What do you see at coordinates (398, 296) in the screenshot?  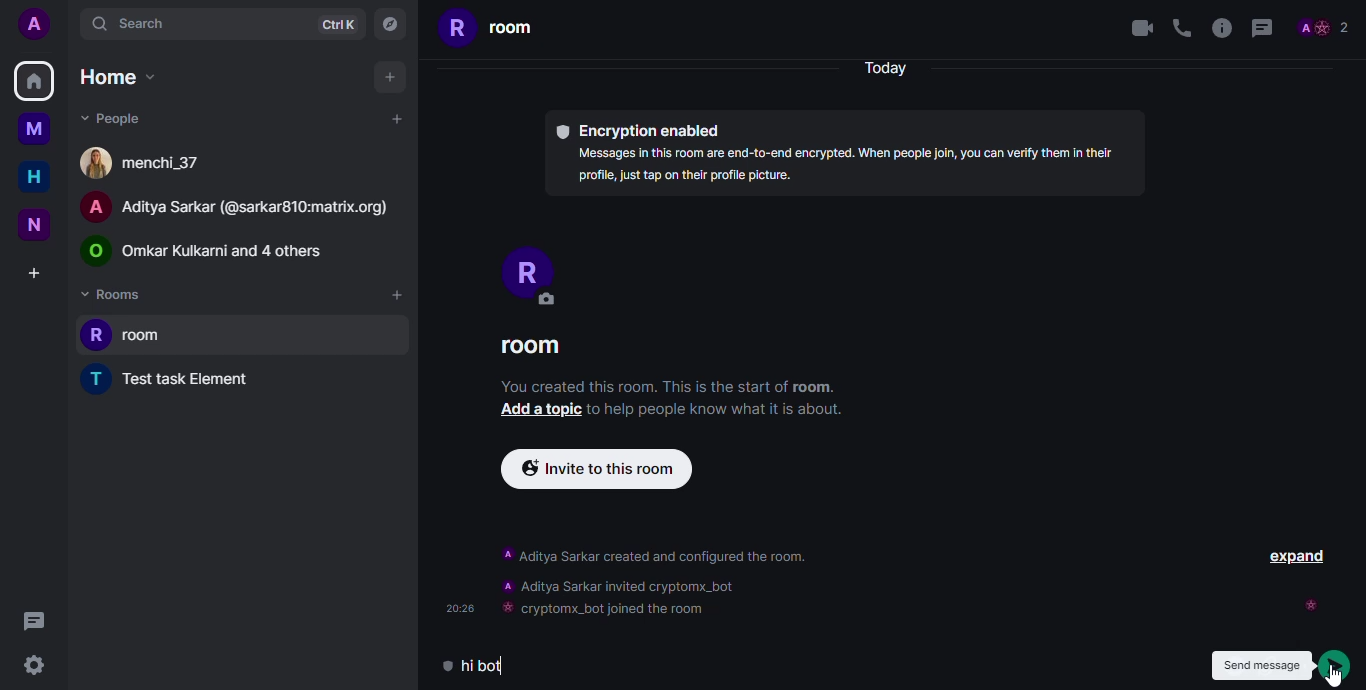 I see `add` at bounding box center [398, 296].